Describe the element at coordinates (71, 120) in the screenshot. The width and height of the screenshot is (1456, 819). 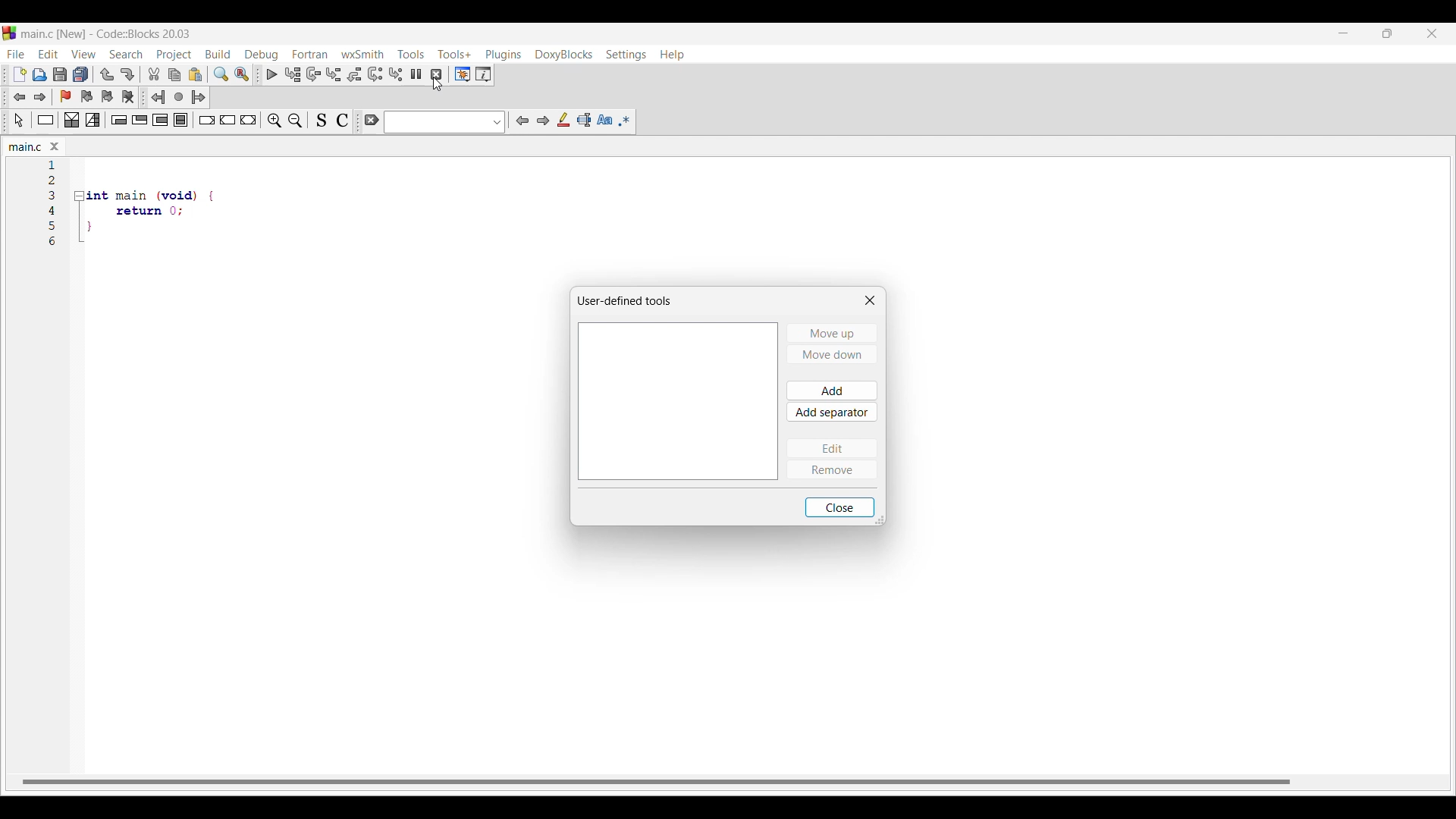
I see `Decision` at that location.